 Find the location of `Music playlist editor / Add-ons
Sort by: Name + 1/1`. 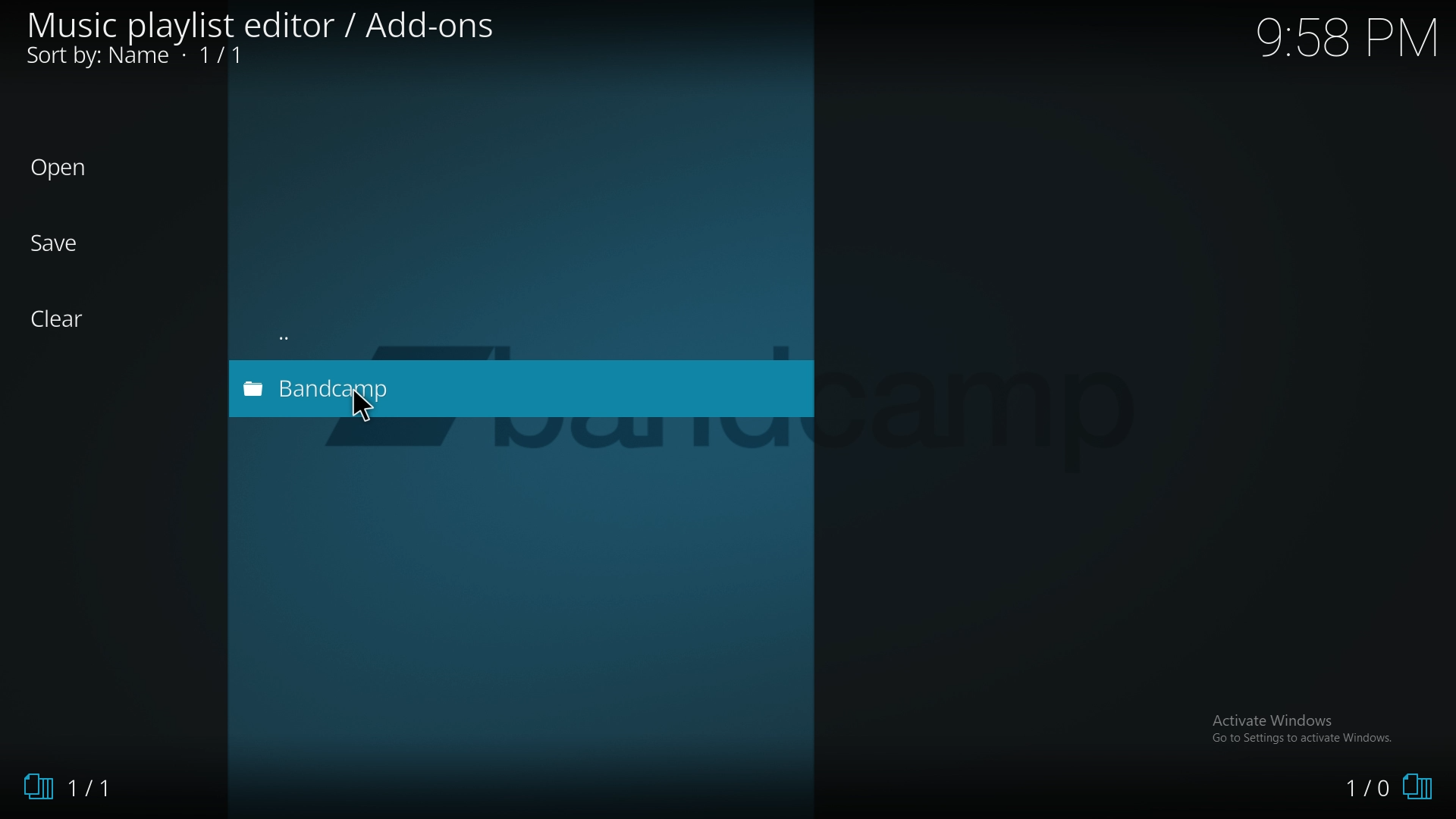

Music playlist editor / Add-ons
Sort by: Name + 1/1 is located at coordinates (256, 40).